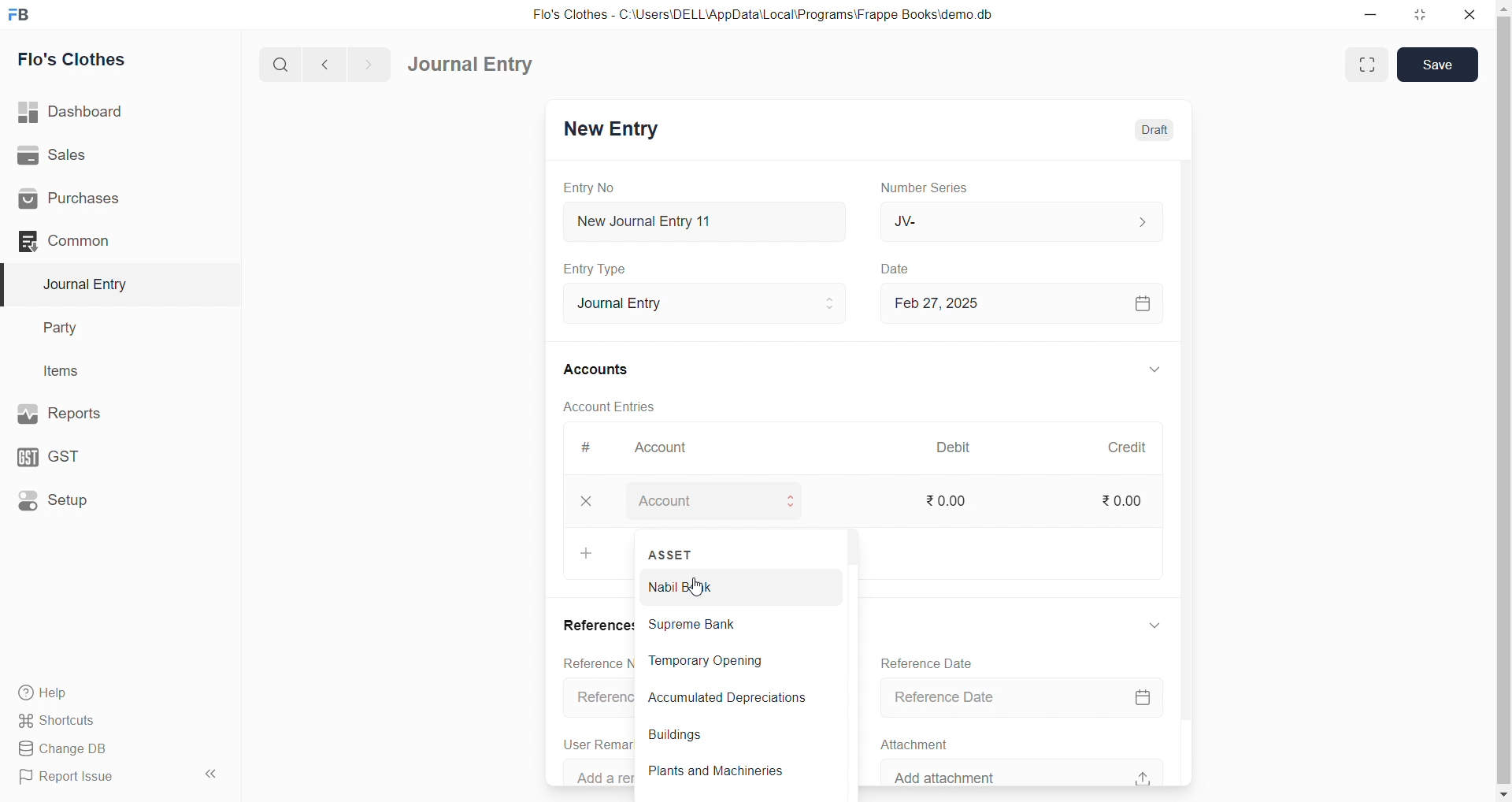  I want to click on Nabil Bank, so click(719, 585).